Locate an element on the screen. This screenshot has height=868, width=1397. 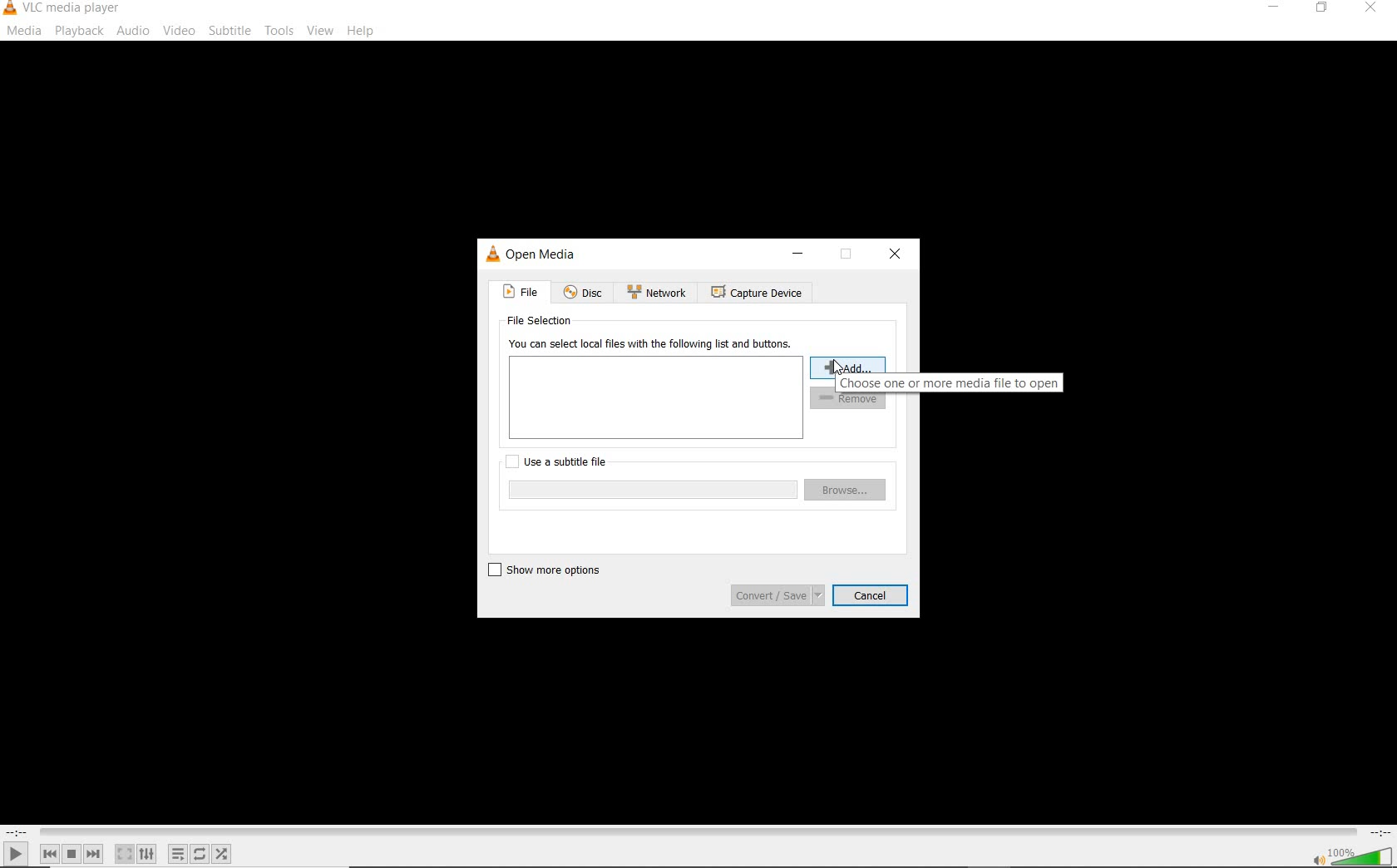
use a subtitle file is located at coordinates (560, 461).